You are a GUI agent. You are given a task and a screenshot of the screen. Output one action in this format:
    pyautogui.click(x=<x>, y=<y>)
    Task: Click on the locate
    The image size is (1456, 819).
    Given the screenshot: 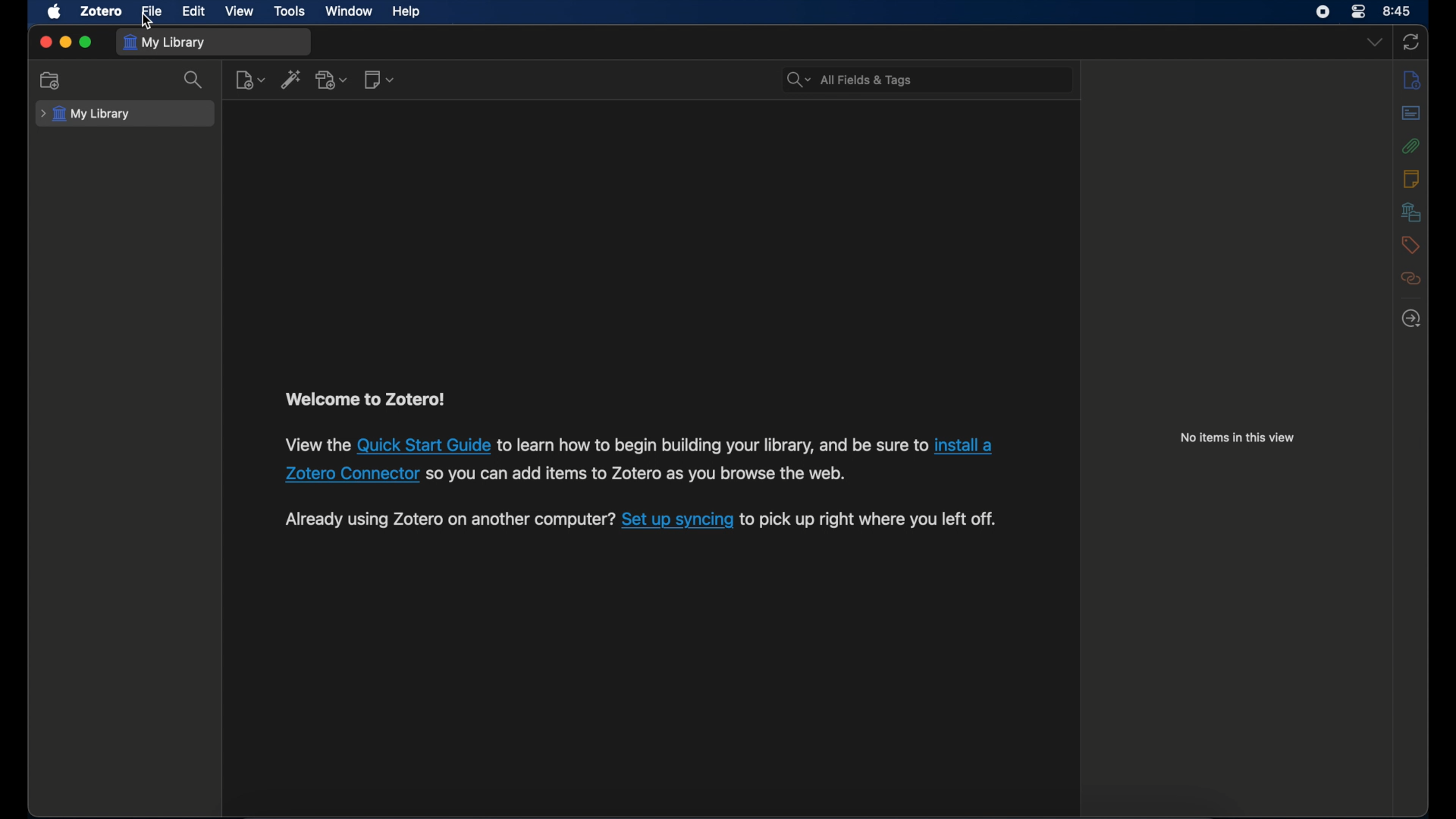 What is the action you would take?
    pyautogui.click(x=1411, y=319)
    